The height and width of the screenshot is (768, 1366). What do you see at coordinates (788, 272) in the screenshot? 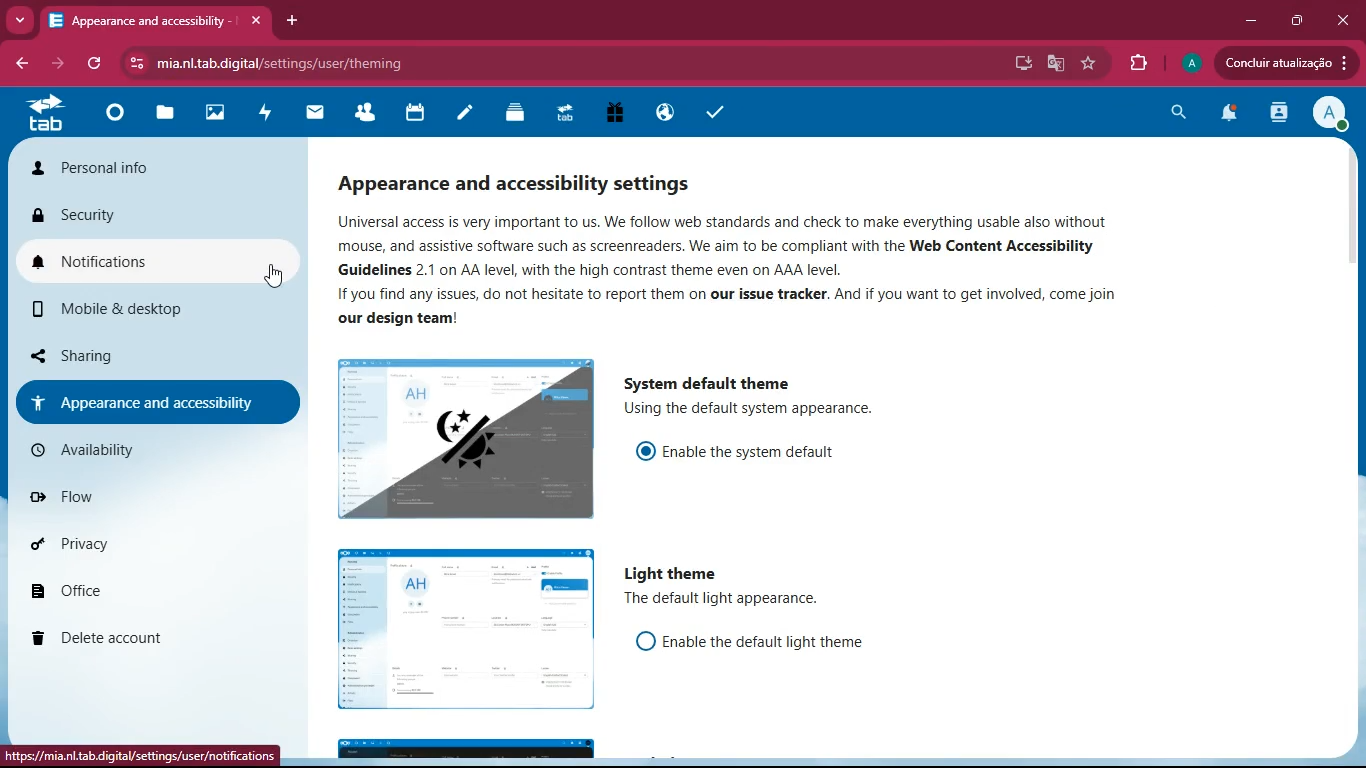
I see `description` at bounding box center [788, 272].